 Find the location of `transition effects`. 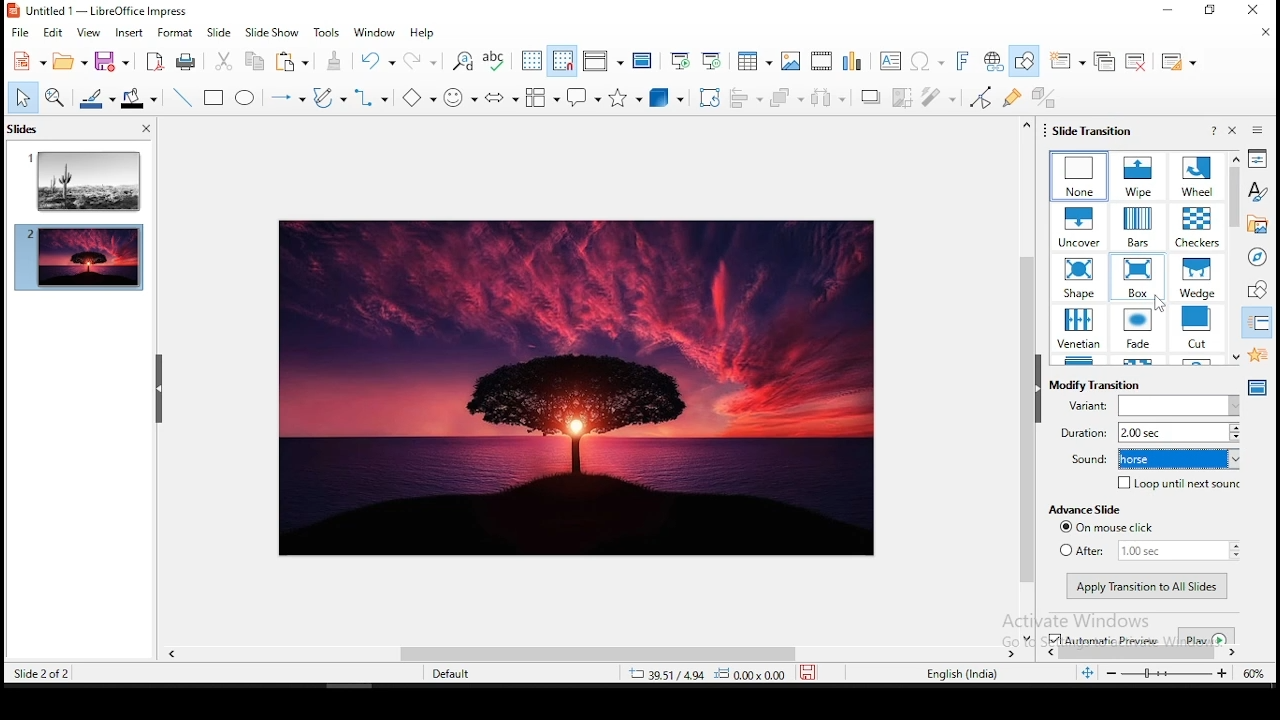

transition effects is located at coordinates (1080, 177).